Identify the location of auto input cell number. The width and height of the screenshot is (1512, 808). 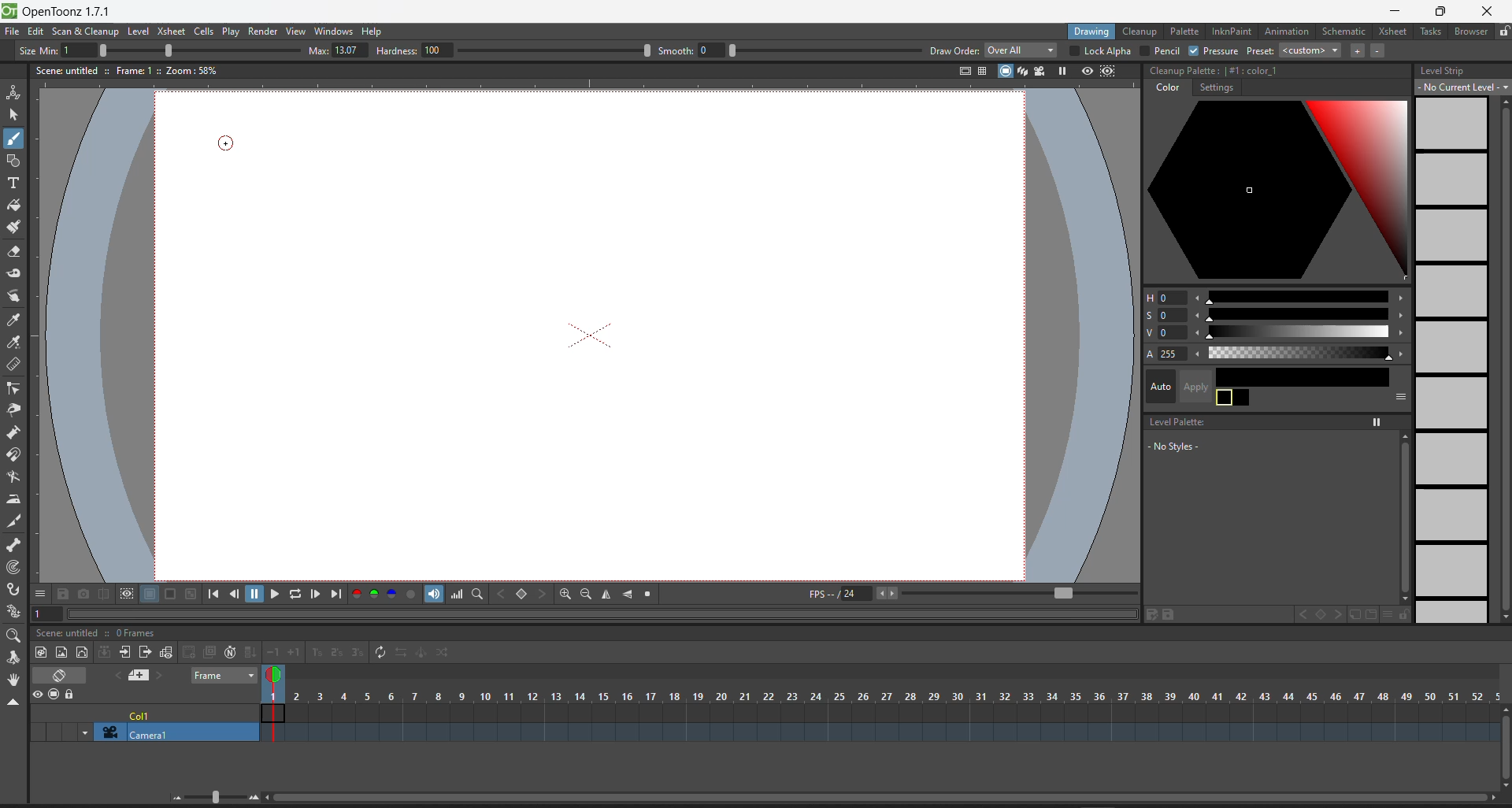
(228, 651).